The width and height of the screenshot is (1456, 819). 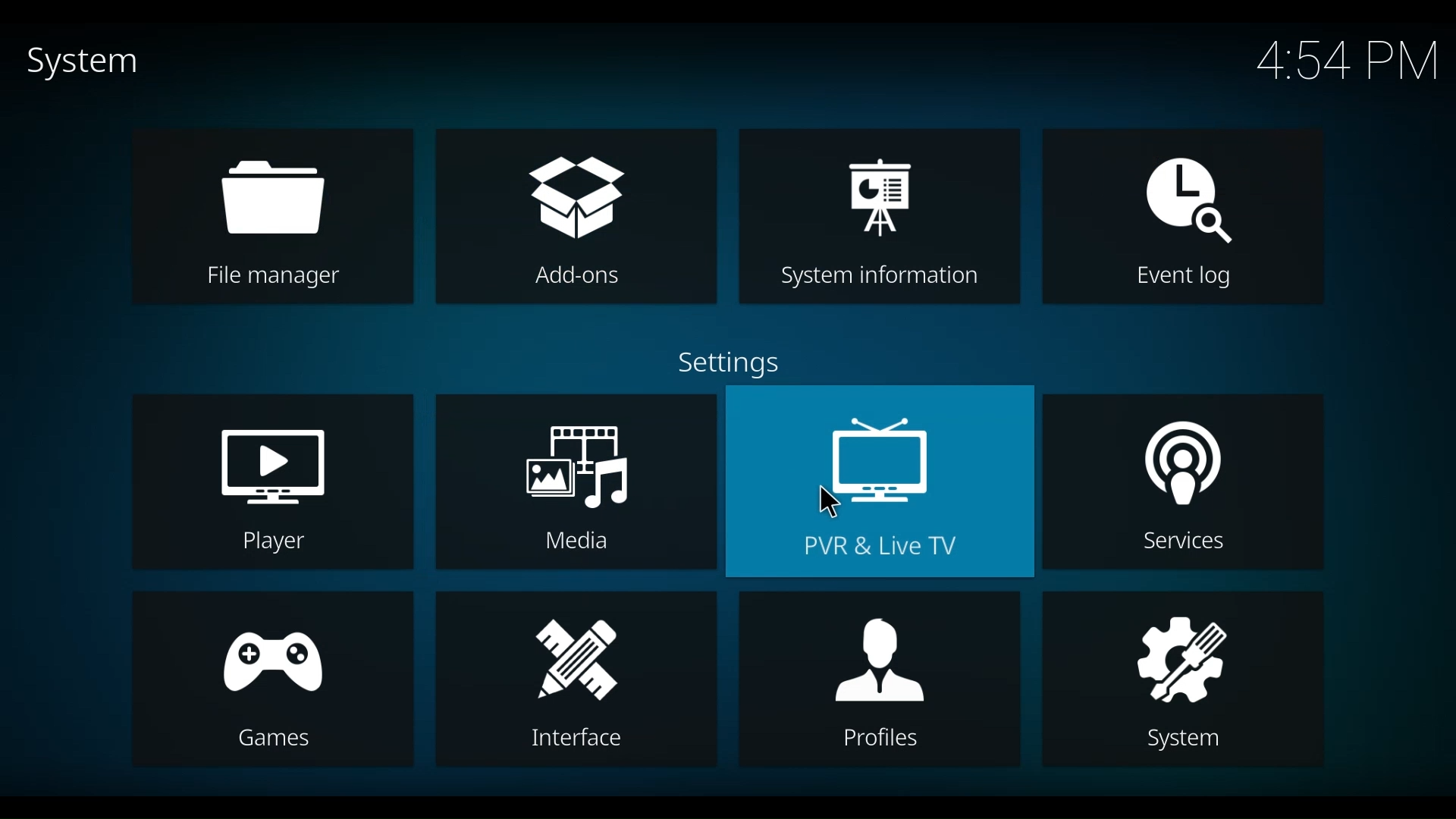 I want to click on Event log, so click(x=1186, y=219).